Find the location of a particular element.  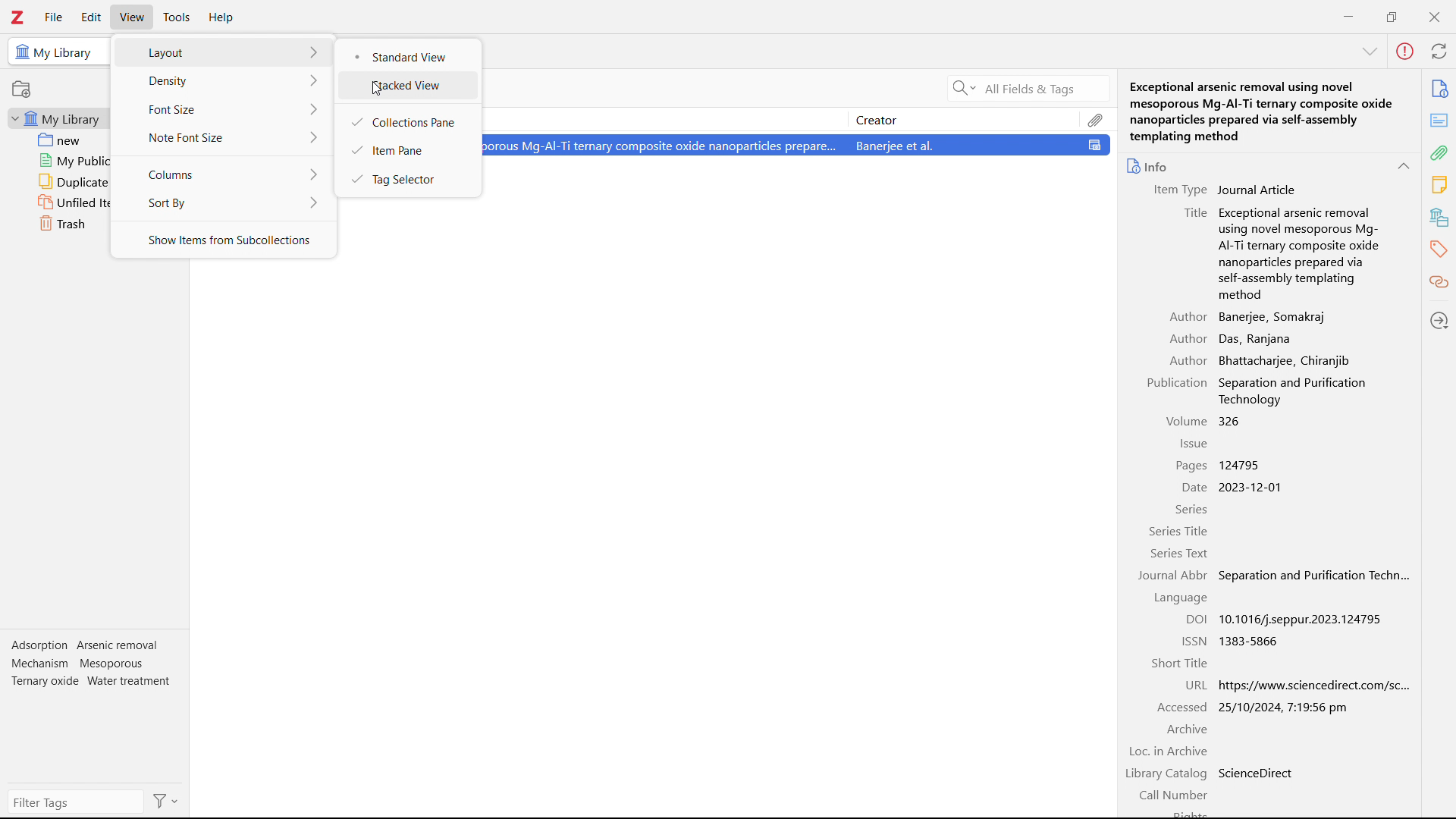

columns is located at coordinates (222, 173).